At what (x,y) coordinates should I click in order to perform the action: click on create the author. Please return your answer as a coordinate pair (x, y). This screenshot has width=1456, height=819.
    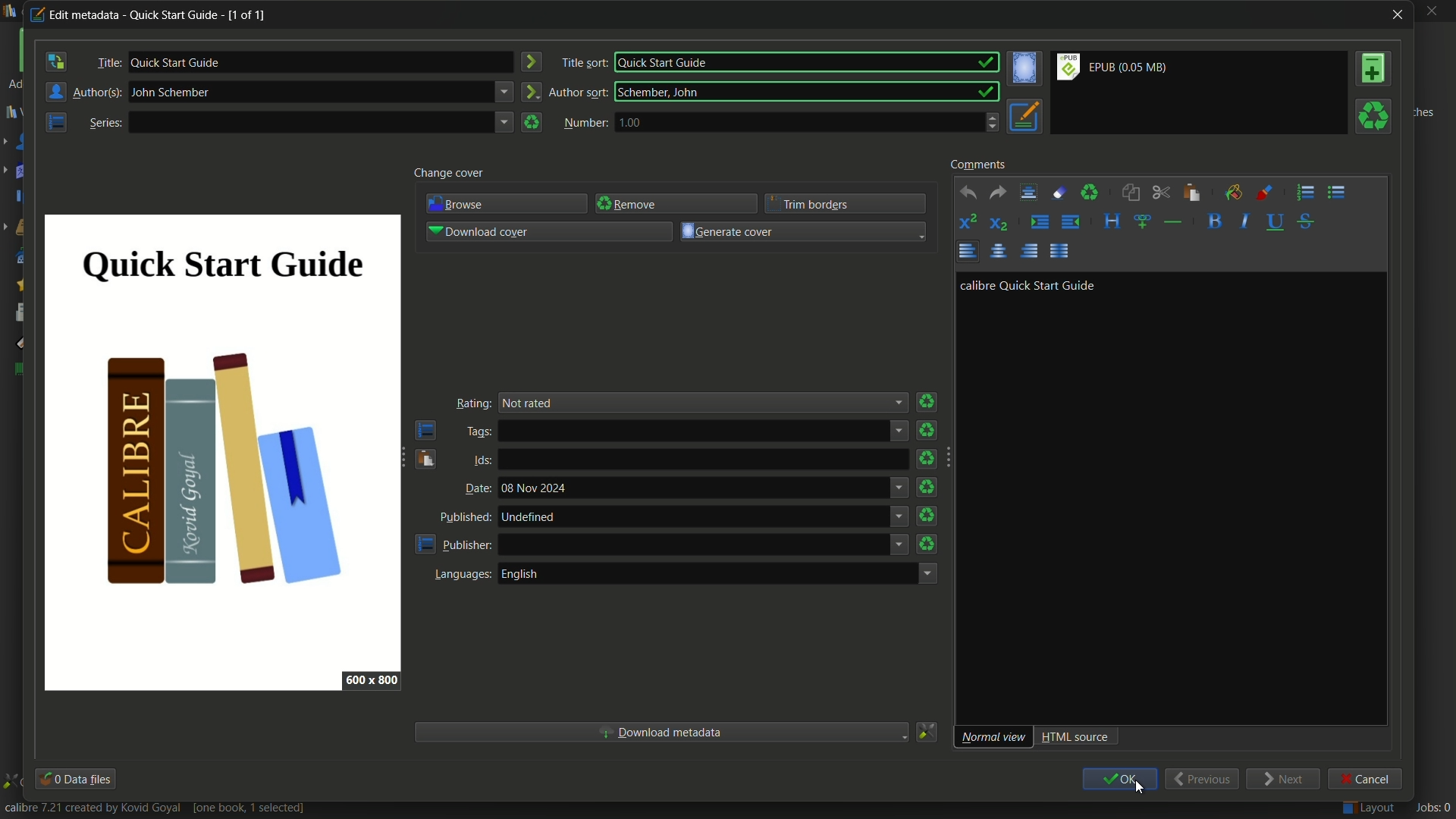
    Looking at the image, I should click on (534, 93).